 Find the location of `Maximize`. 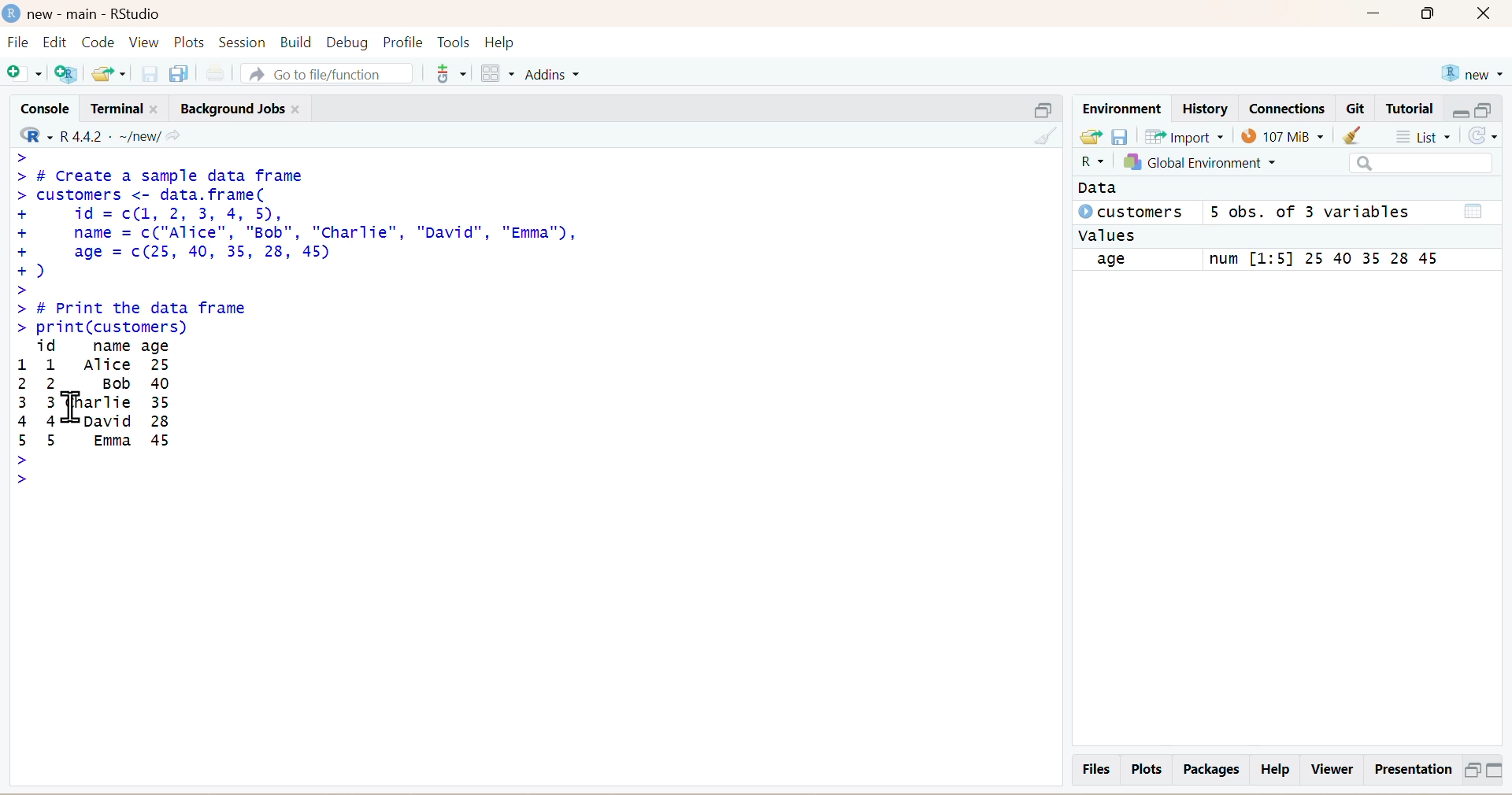

Maximize is located at coordinates (1471, 769).